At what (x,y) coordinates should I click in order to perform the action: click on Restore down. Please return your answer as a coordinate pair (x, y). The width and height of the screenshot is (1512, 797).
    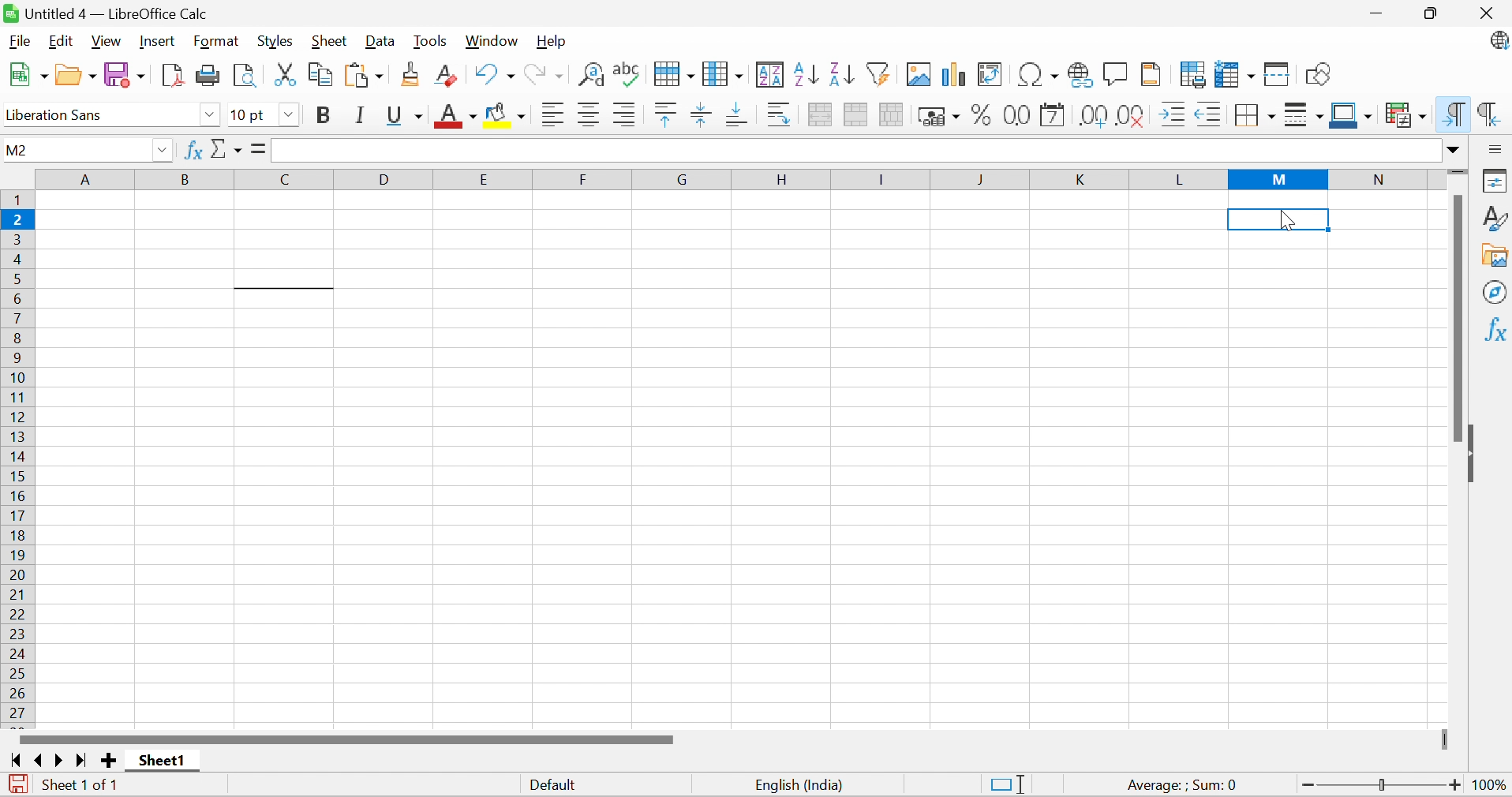
    Looking at the image, I should click on (1435, 15).